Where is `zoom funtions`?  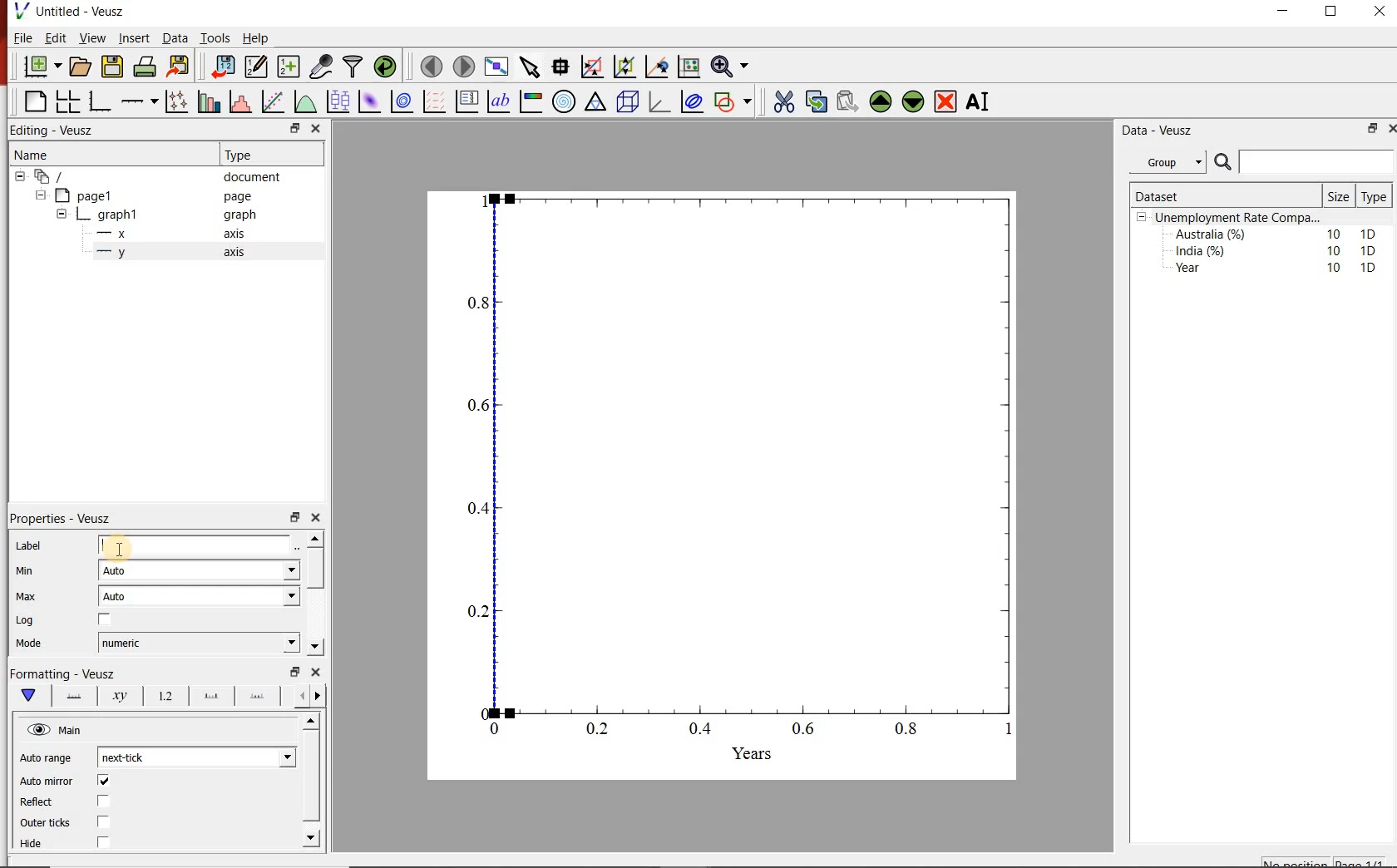
zoom funtions is located at coordinates (733, 65).